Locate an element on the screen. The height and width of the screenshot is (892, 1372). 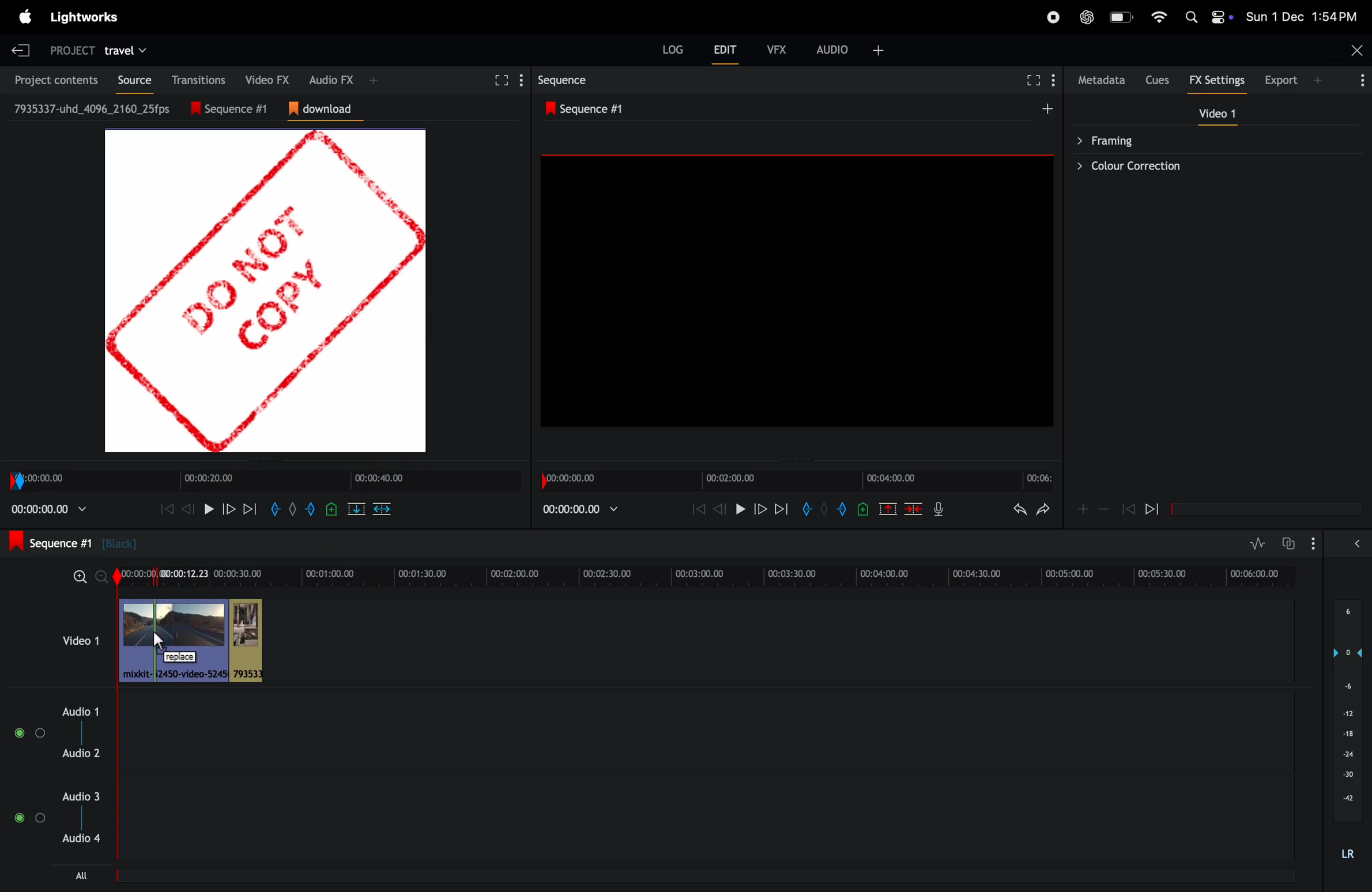
export is located at coordinates (1282, 80).